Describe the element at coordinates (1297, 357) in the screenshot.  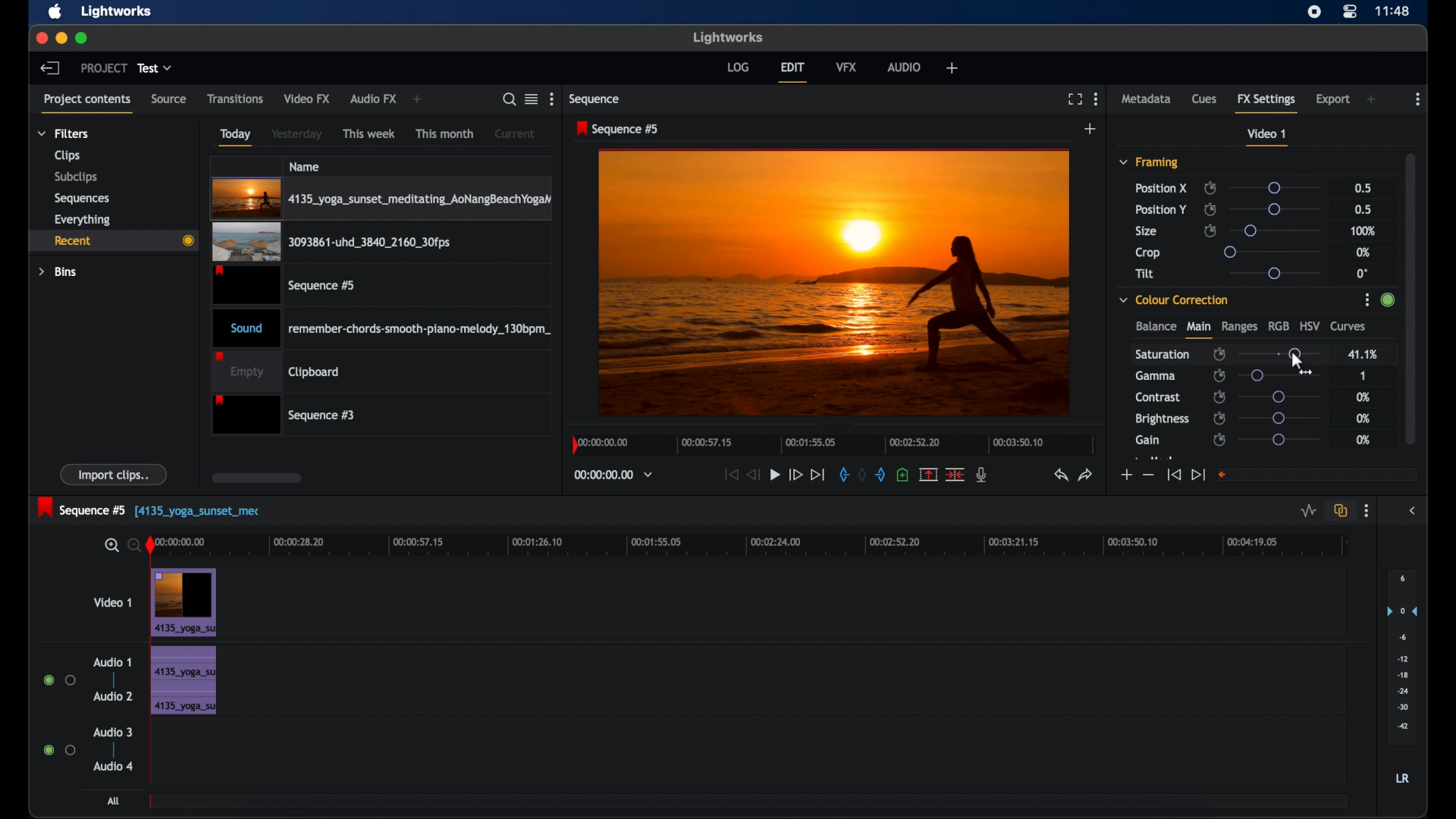
I see `Mouse Cursor` at that location.